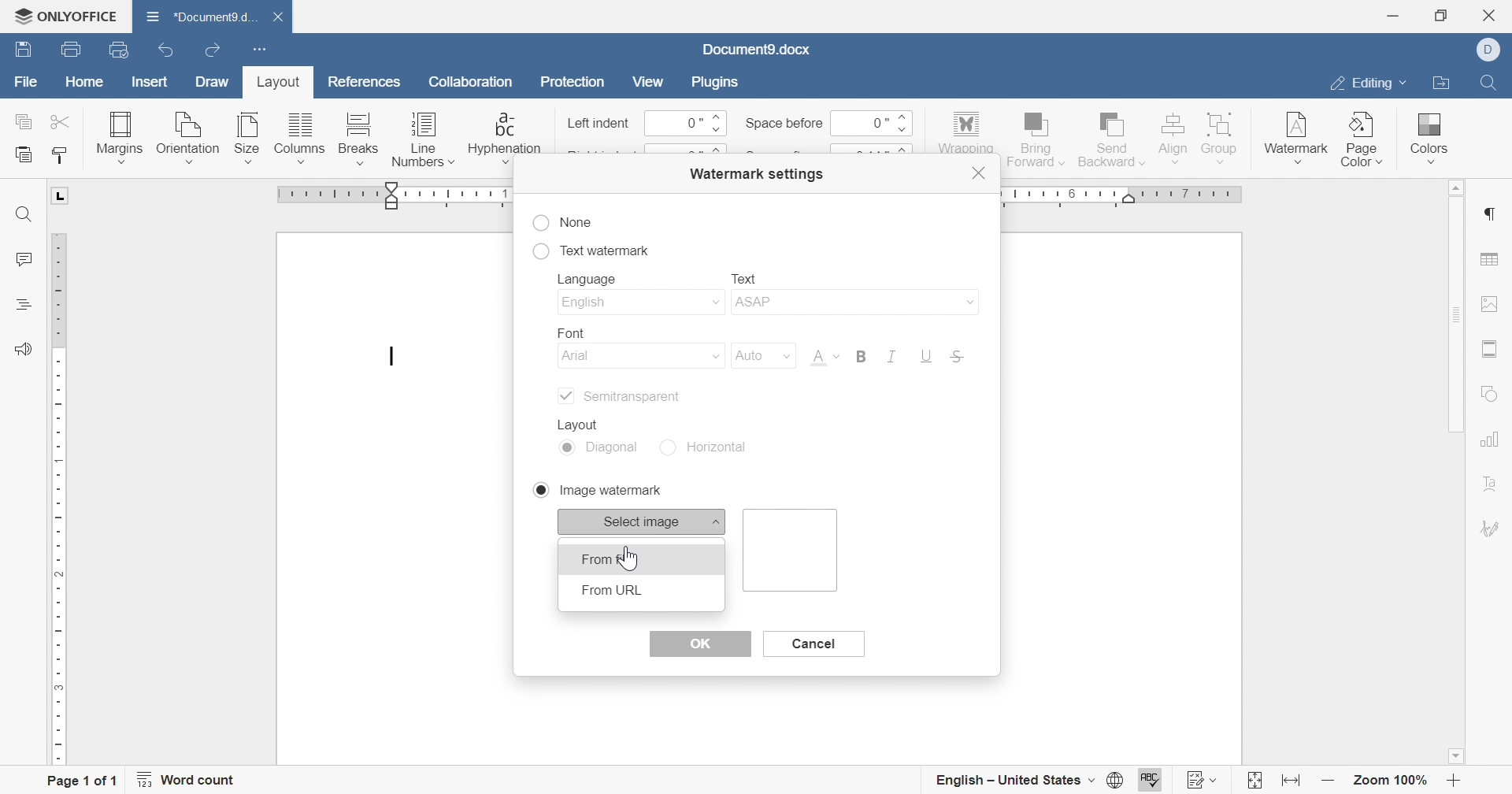 Image resolution: width=1512 pixels, height=794 pixels. I want to click on zoom in, so click(1454, 783).